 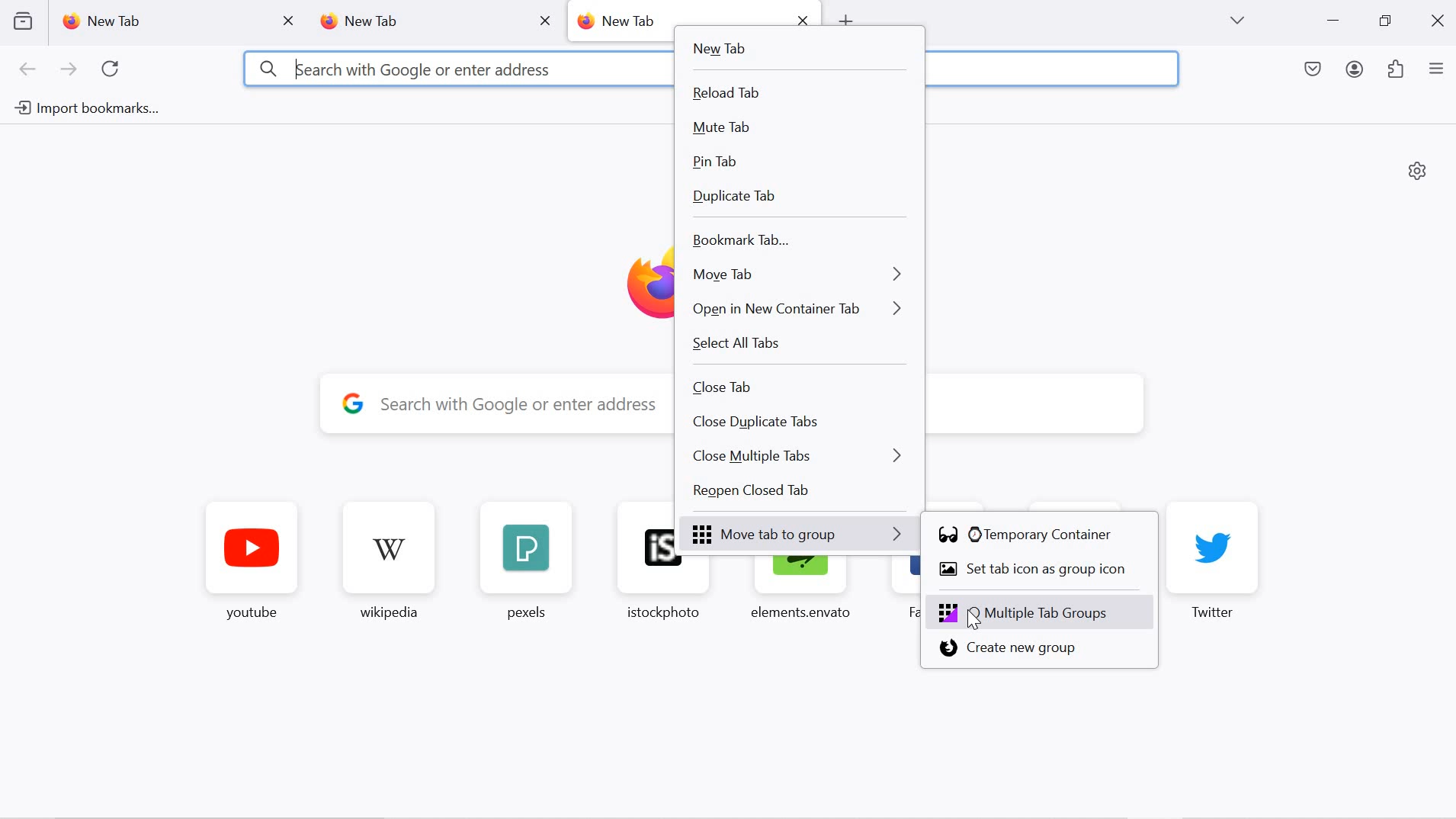 I want to click on close tab, so click(x=801, y=386).